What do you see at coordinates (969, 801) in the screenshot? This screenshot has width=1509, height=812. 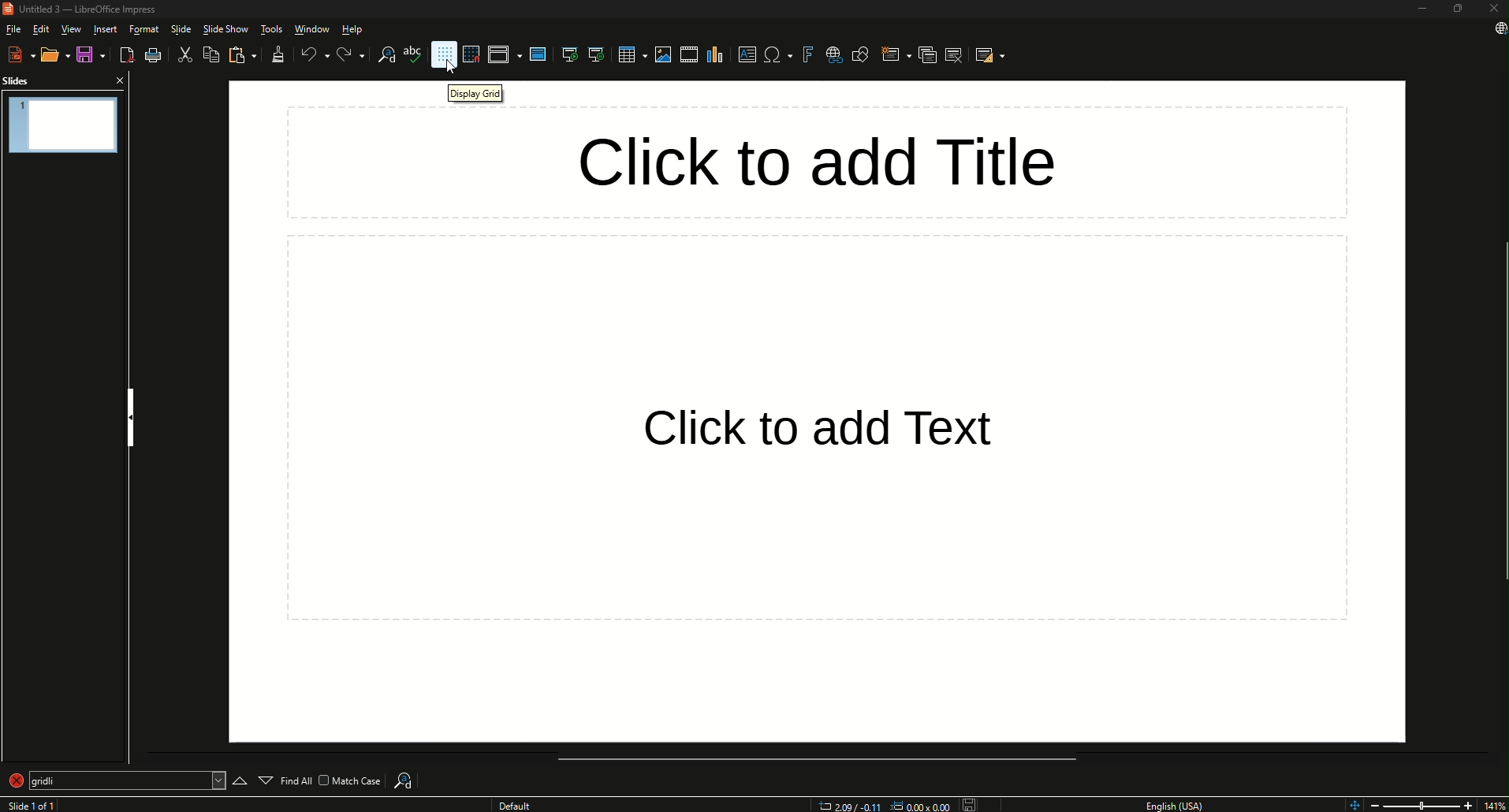 I see `No modifications made` at bounding box center [969, 801].